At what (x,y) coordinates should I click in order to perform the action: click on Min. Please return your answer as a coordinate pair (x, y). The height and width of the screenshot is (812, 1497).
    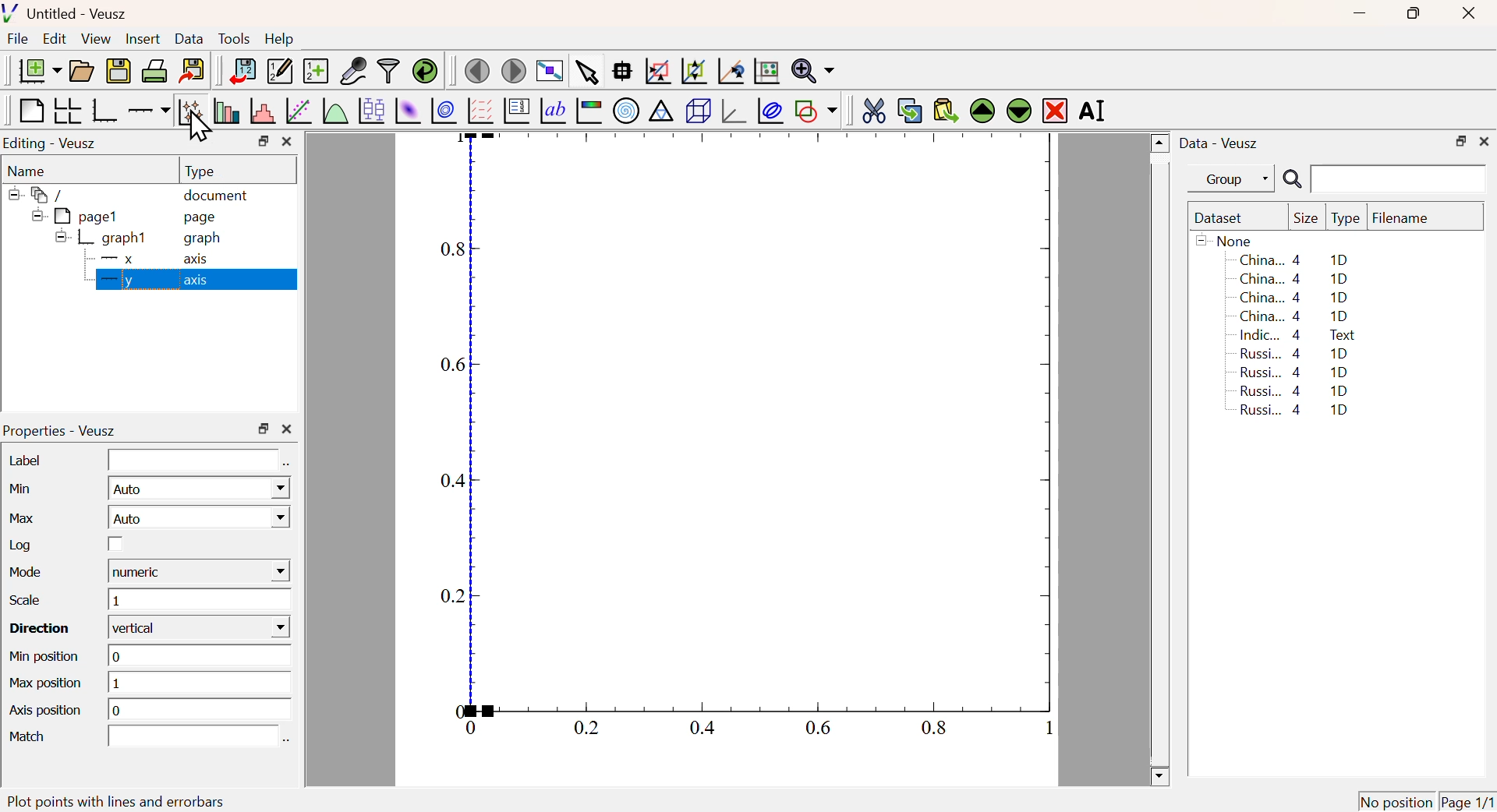
    Looking at the image, I should click on (26, 489).